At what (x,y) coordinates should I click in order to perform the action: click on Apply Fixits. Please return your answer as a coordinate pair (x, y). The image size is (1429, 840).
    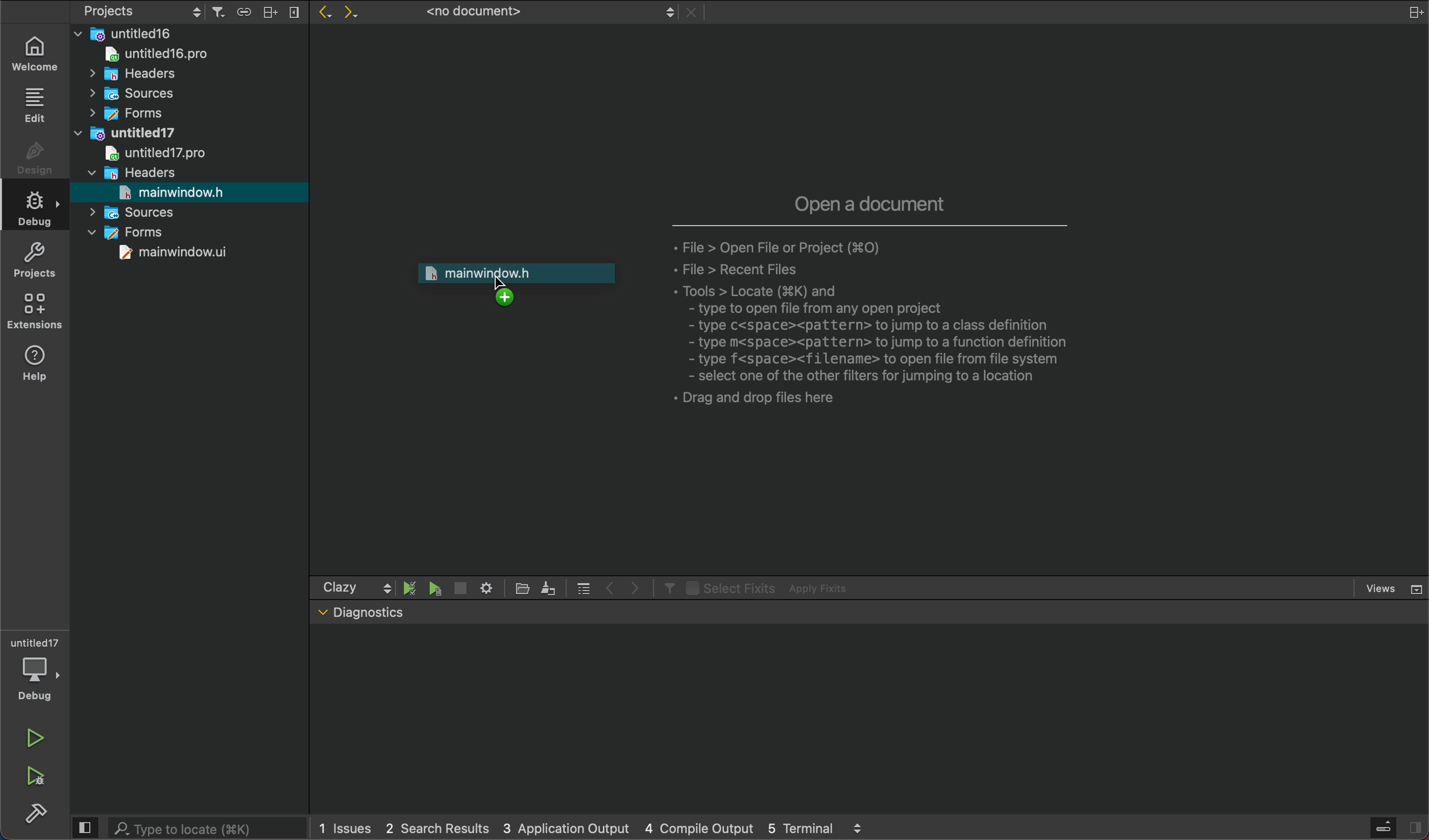
    Looking at the image, I should click on (822, 588).